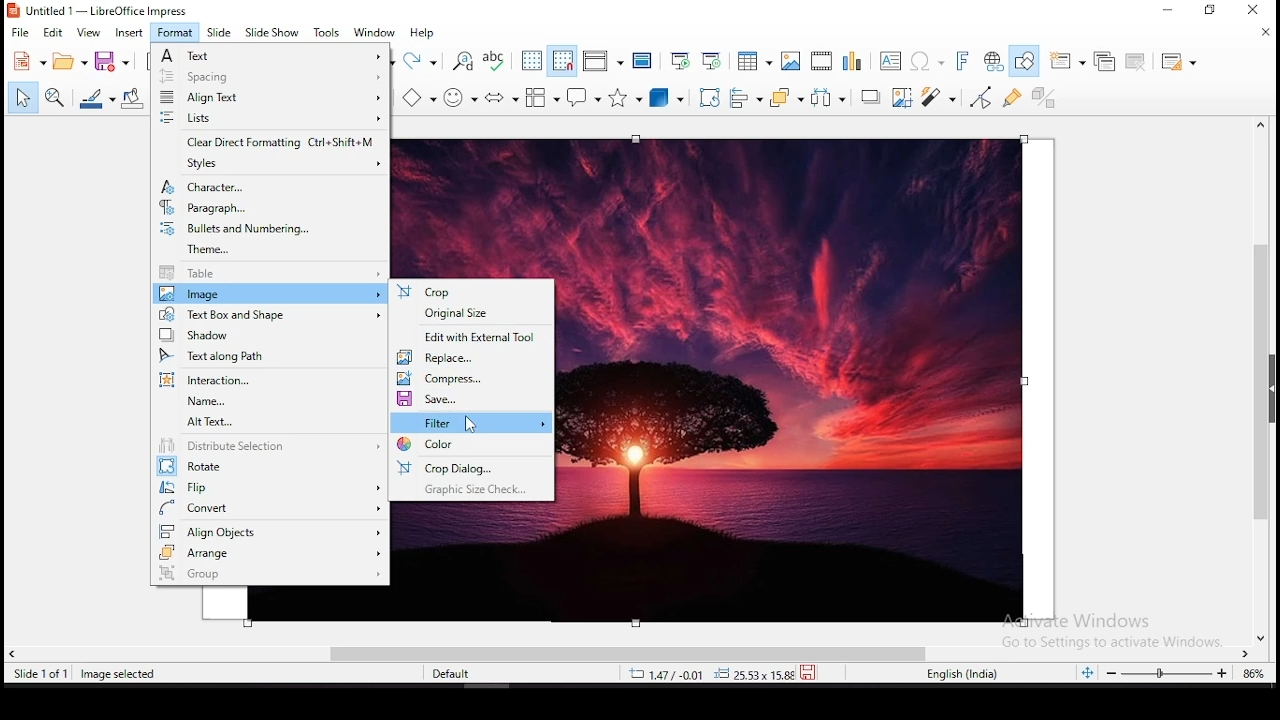 The height and width of the screenshot is (720, 1280). What do you see at coordinates (463, 96) in the screenshot?
I see `symbol shapes` at bounding box center [463, 96].